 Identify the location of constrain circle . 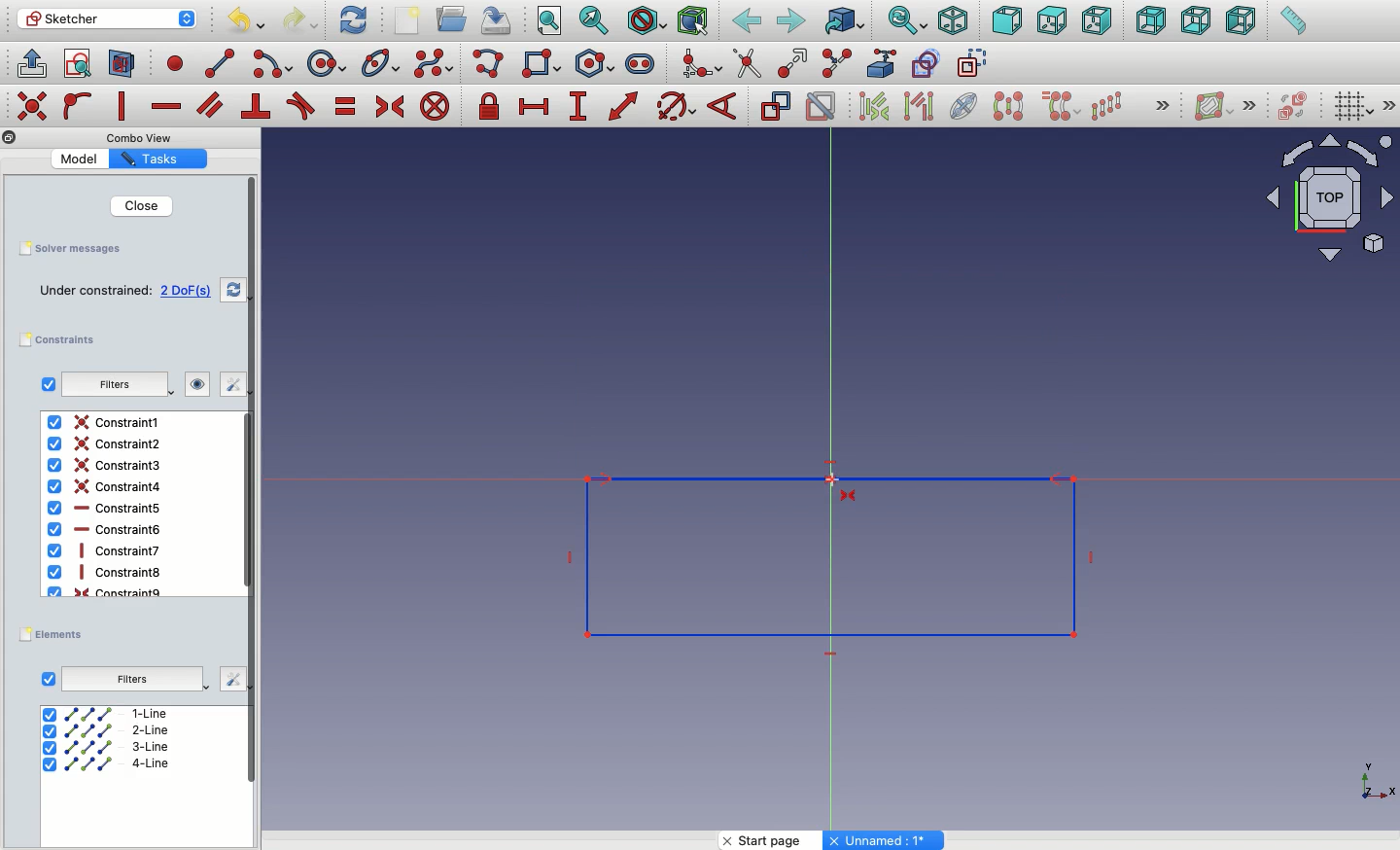
(677, 105).